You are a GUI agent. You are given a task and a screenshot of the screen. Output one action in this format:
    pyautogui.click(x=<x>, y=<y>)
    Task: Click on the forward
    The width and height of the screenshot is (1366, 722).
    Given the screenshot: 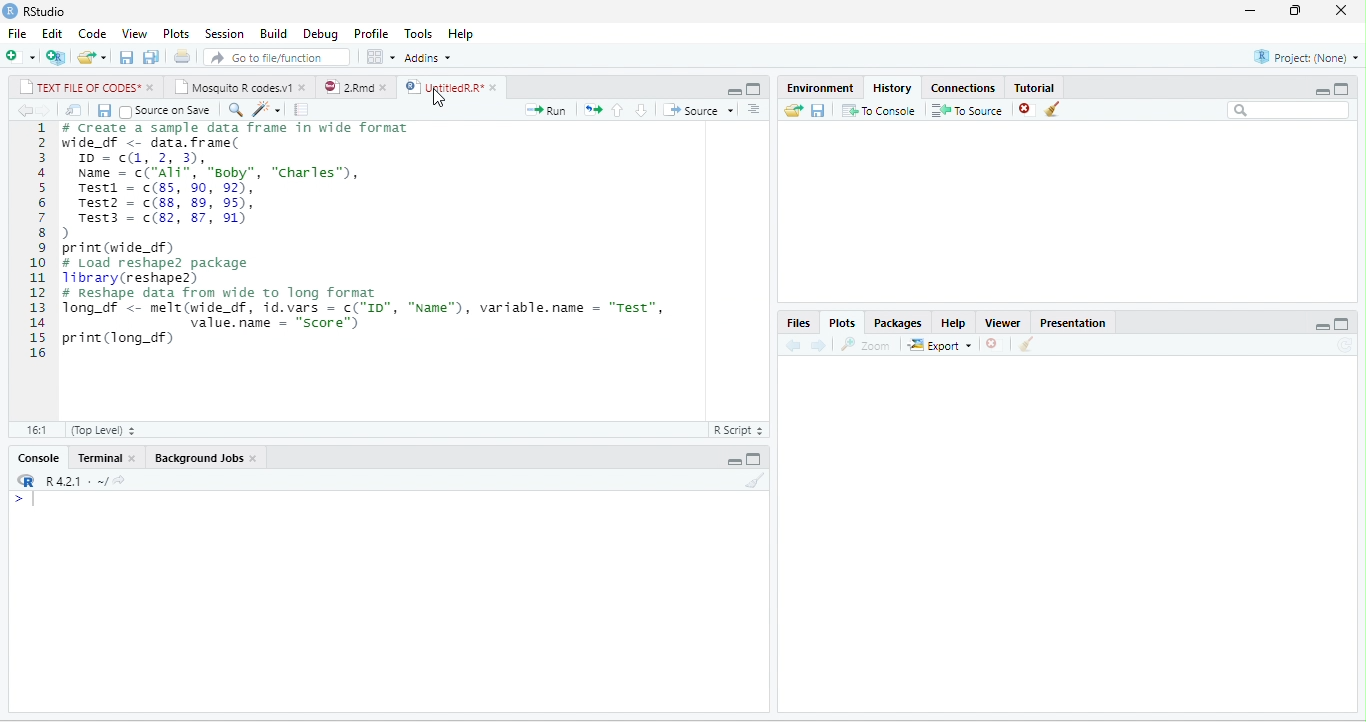 What is the action you would take?
    pyautogui.click(x=44, y=110)
    